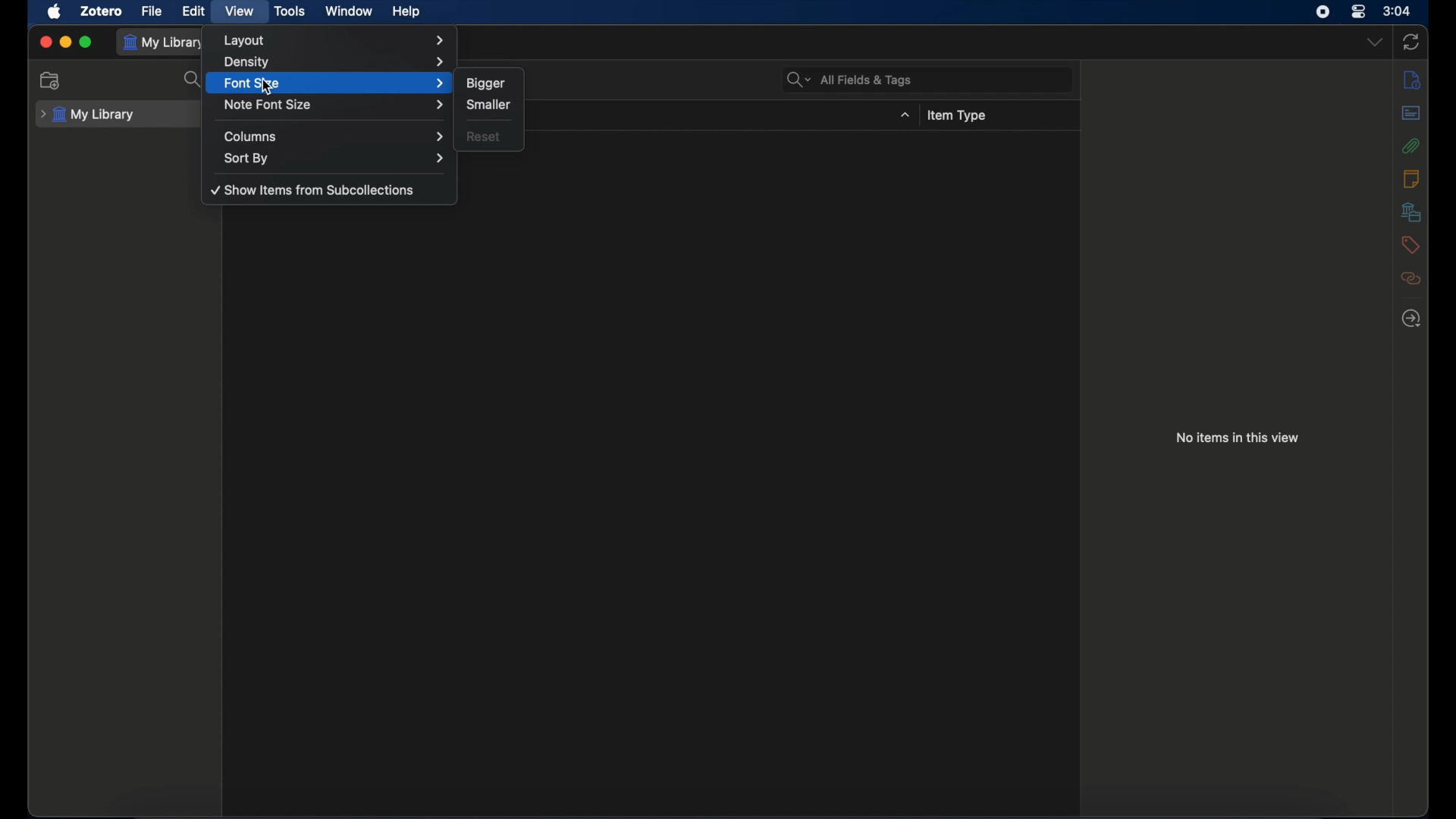 The width and height of the screenshot is (1456, 819). Describe the element at coordinates (335, 159) in the screenshot. I see `sort by` at that location.